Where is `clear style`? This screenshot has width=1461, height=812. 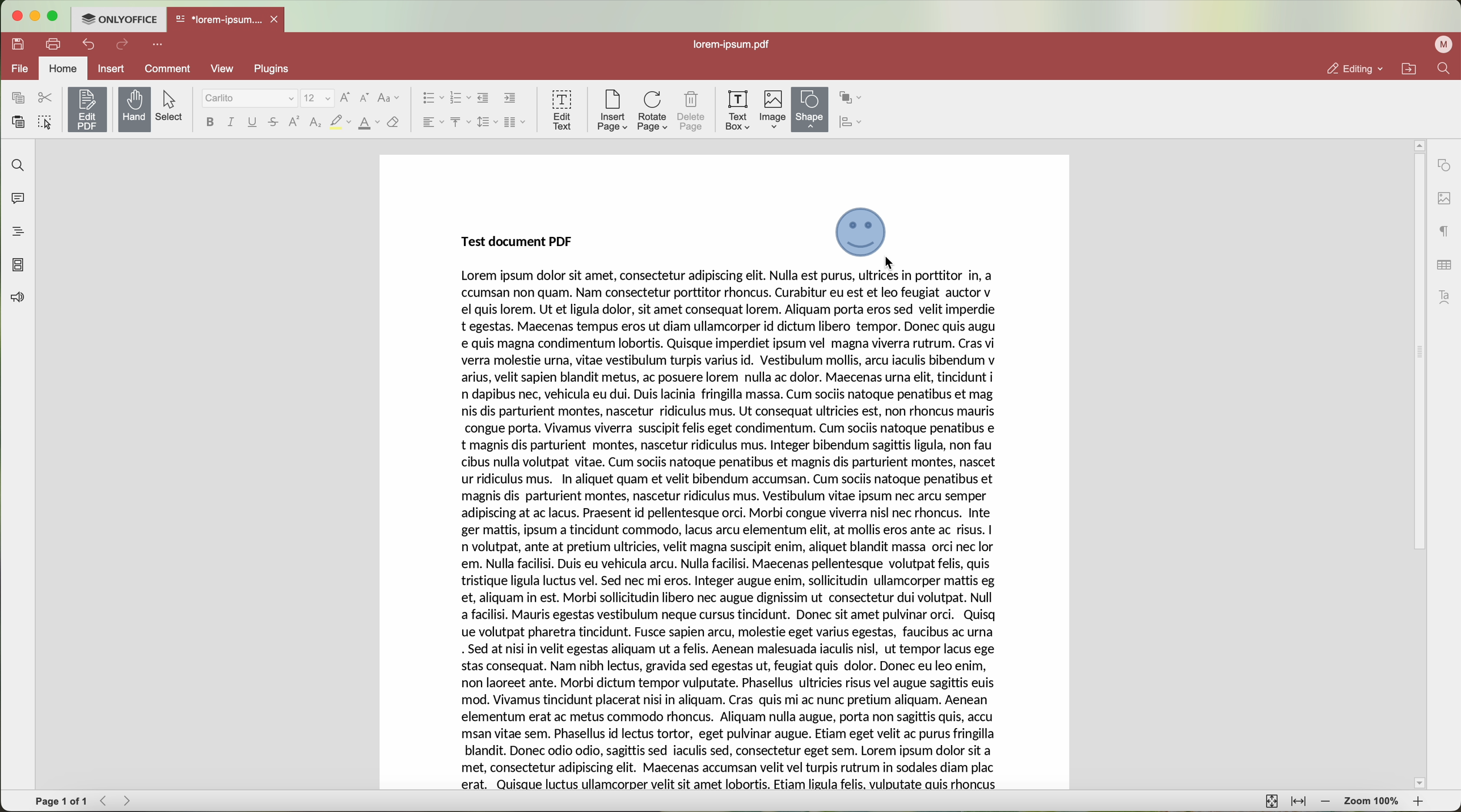
clear style is located at coordinates (392, 122).